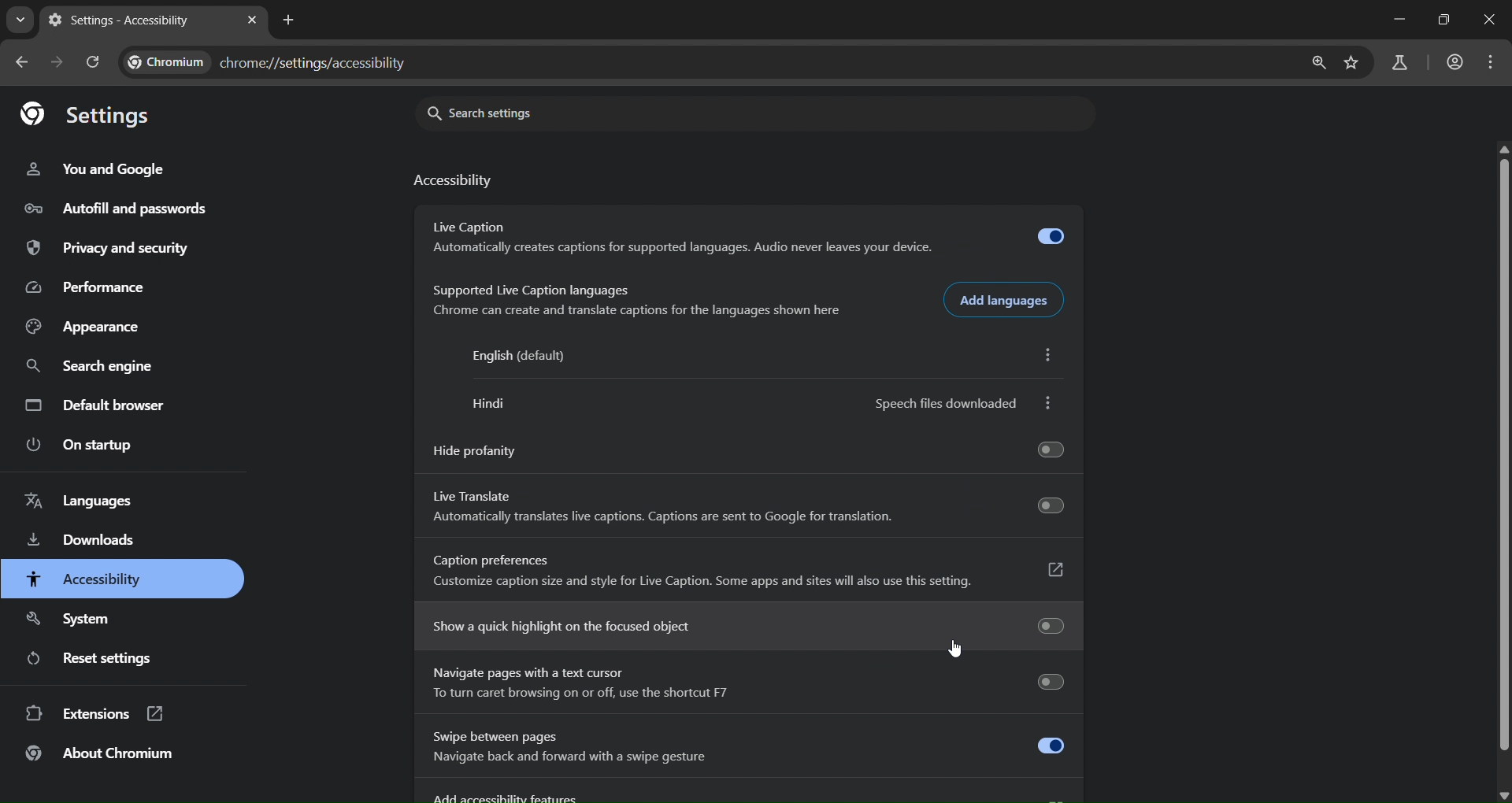 This screenshot has height=803, width=1512. What do you see at coordinates (95, 62) in the screenshot?
I see `reload page` at bounding box center [95, 62].